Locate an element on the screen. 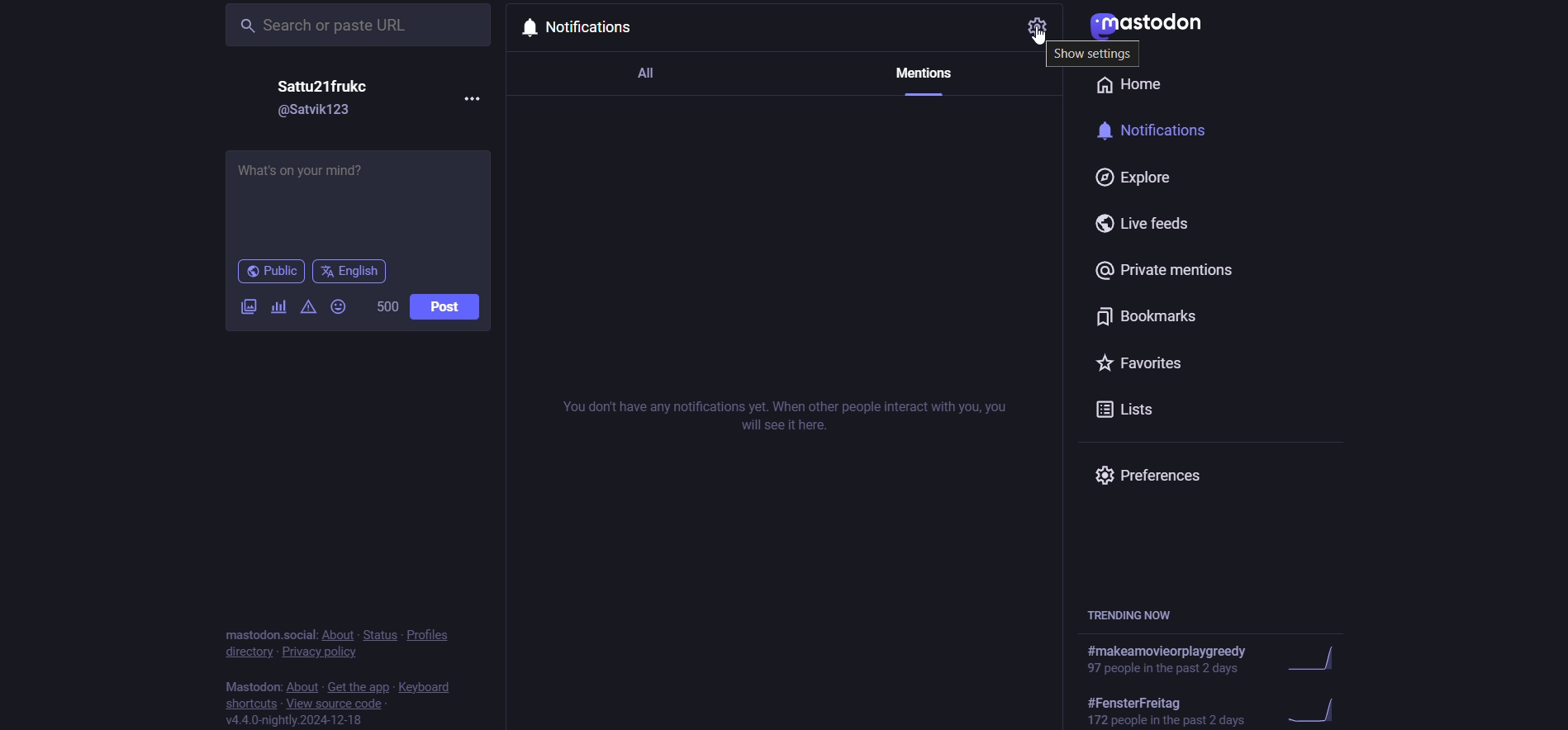  Satty21frukc is located at coordinates (323, 86).